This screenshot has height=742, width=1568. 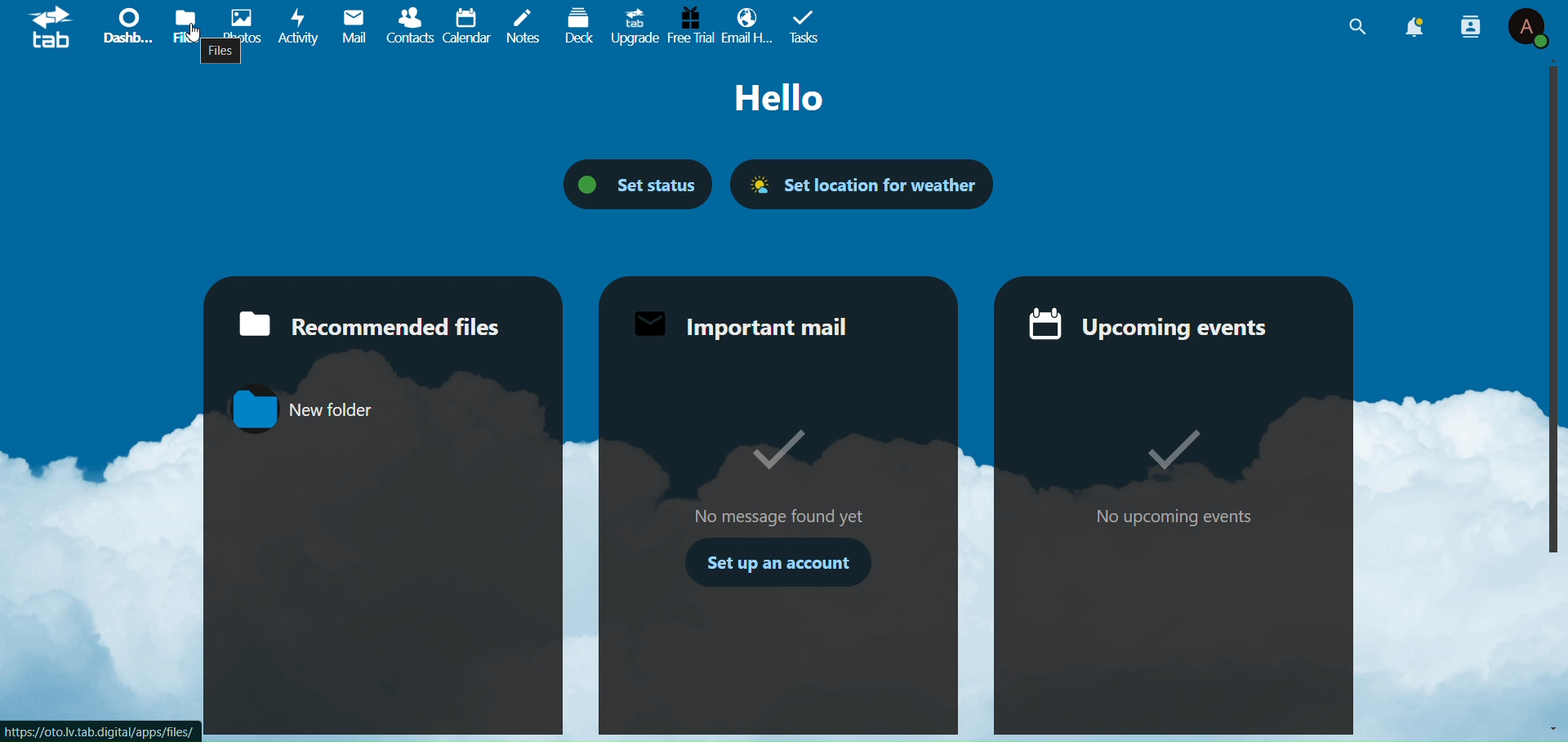 What do you see at coordinates (783, 561) in the screenshot?
I see `Set up an account` at bounding box center [783, 561].